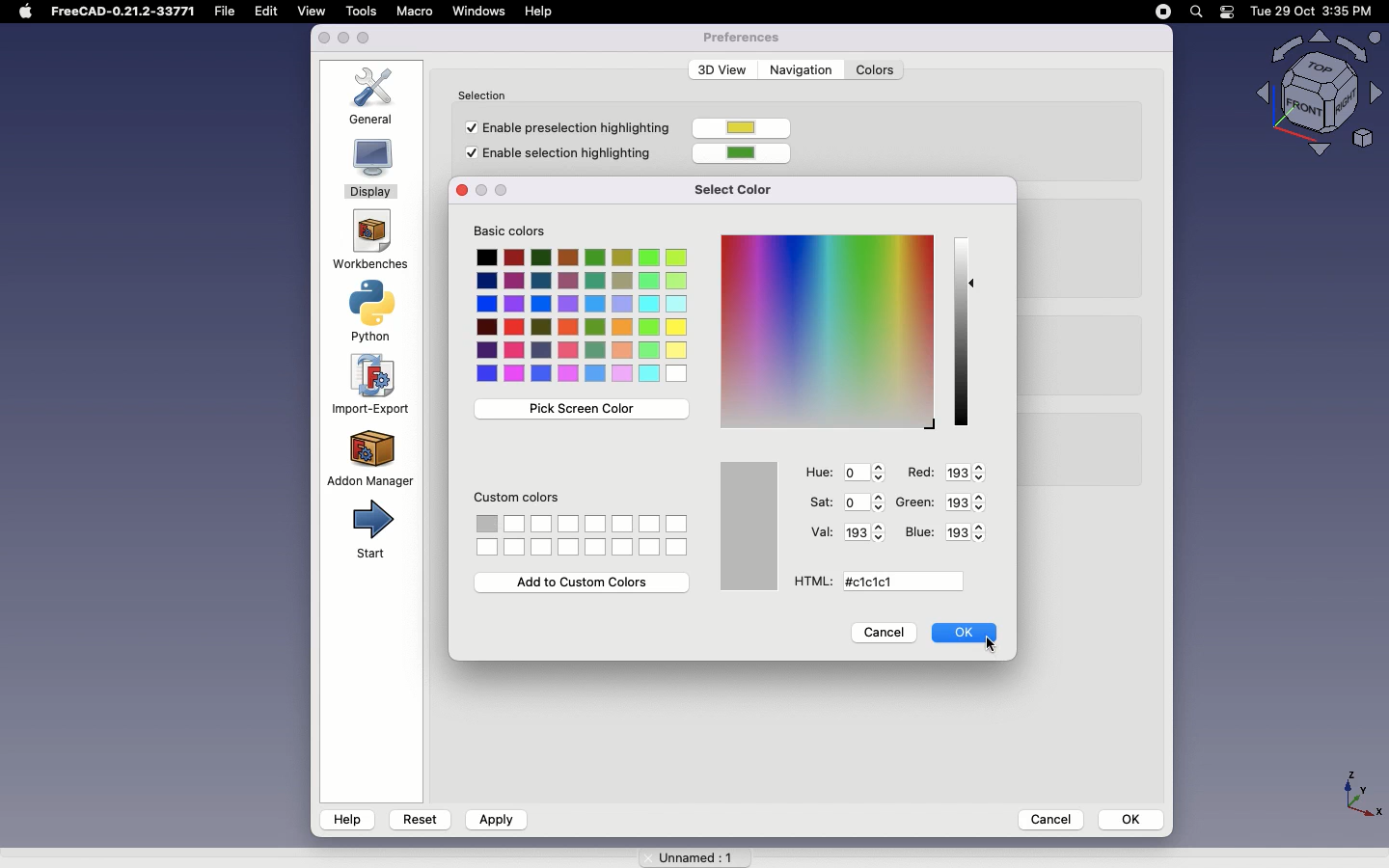 The image size is (1389, 868). I want to click on Selection, so click(487, 93).